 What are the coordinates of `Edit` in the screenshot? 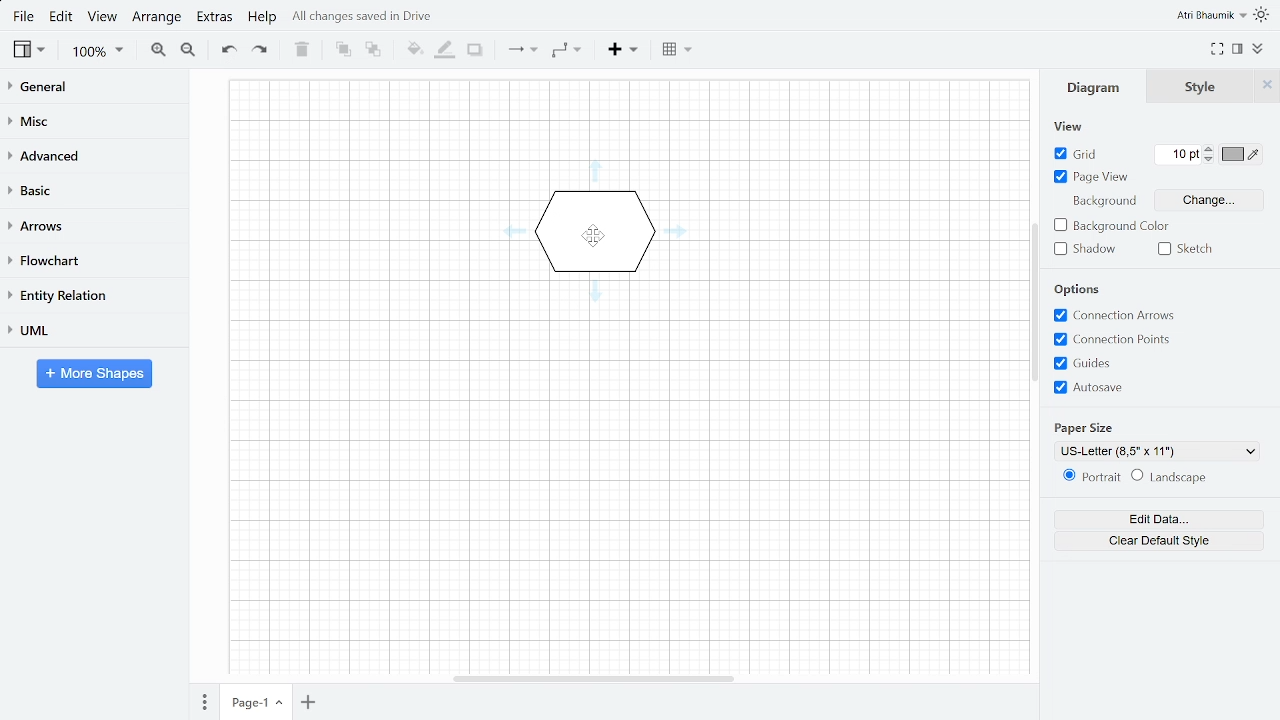 It's located at (61, 19).